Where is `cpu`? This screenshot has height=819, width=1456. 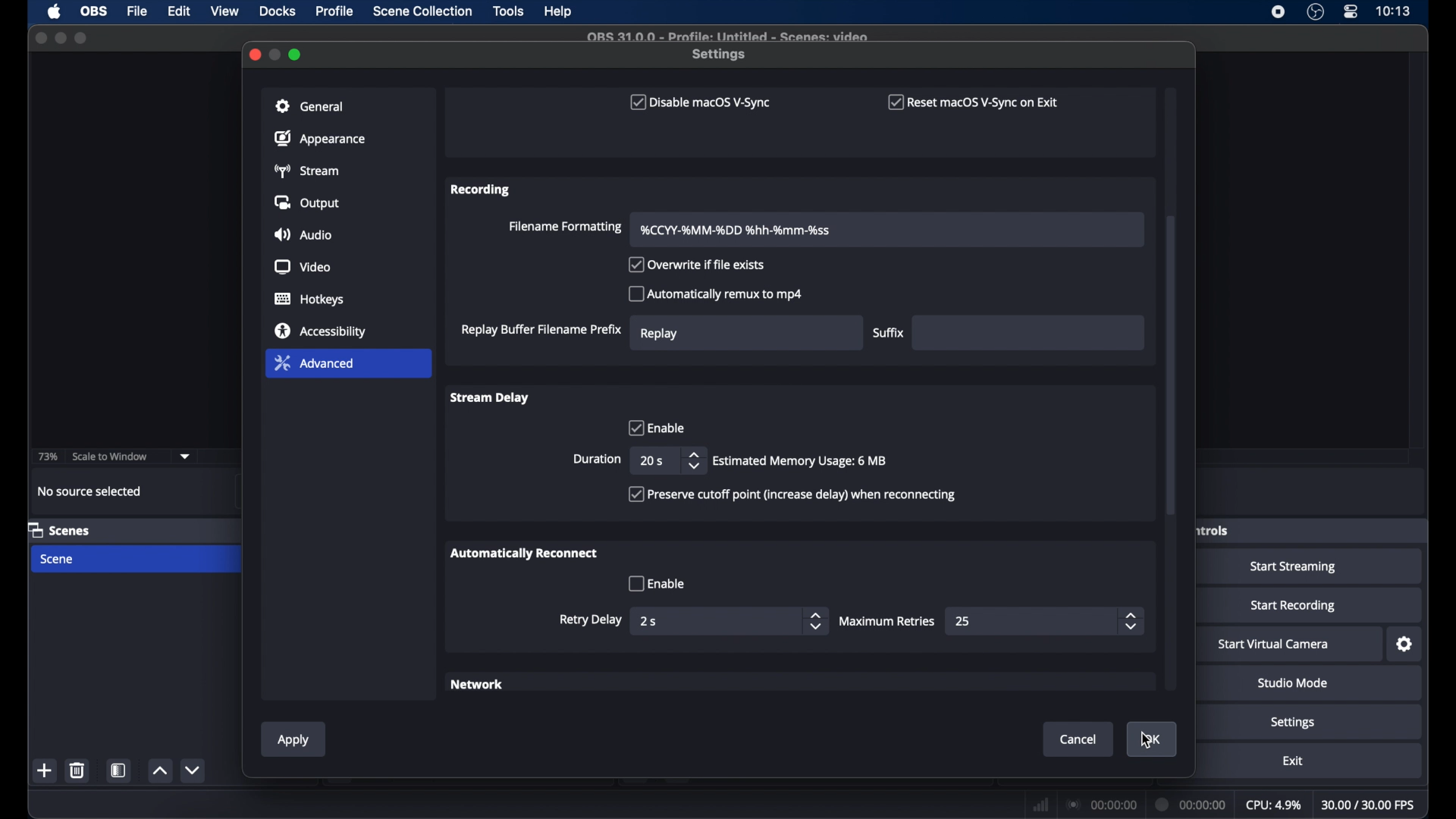
cpu is located at coordinates (1274, 805).